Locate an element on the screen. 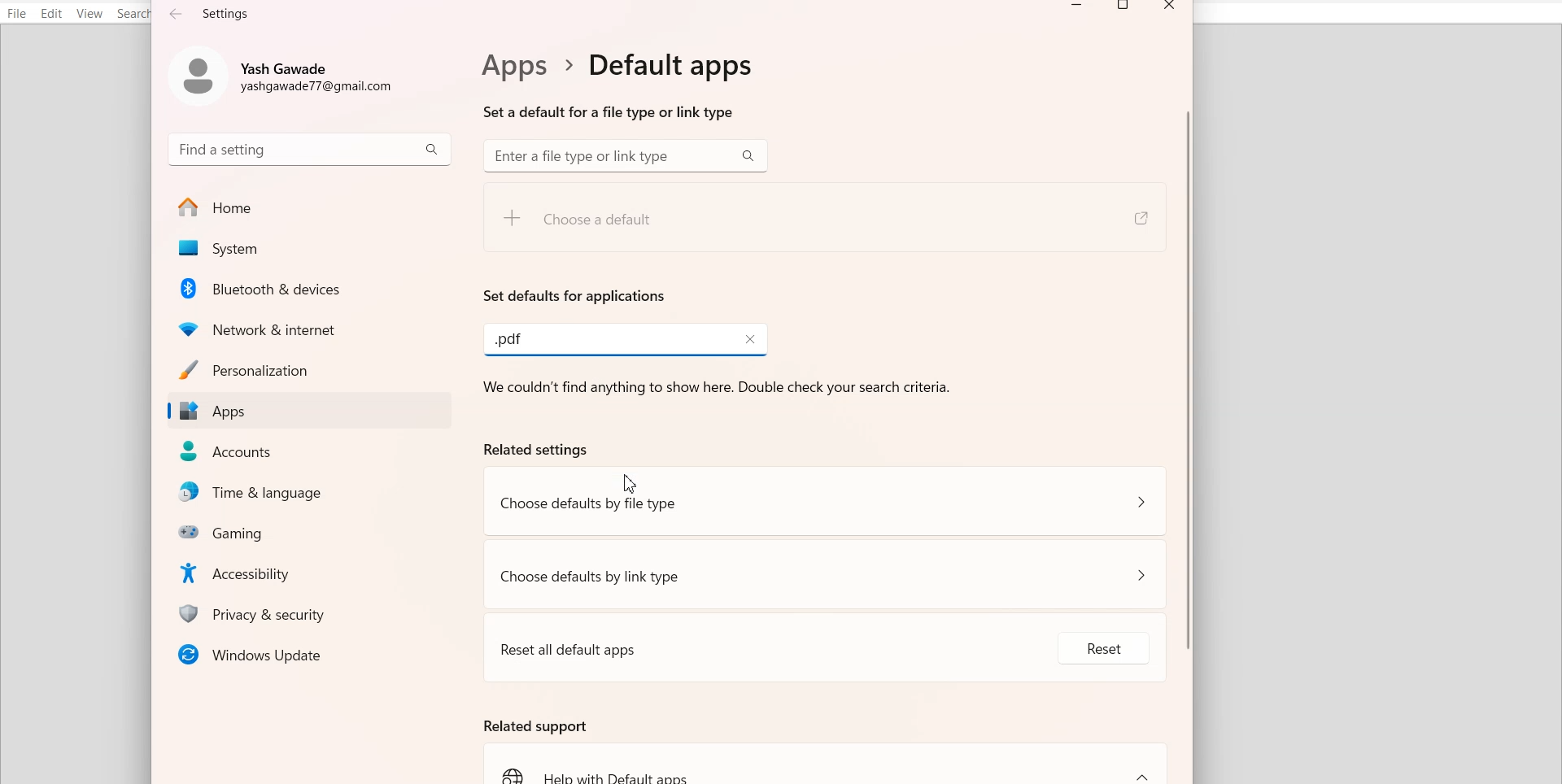 Image resolution: width=1562 pixels, height=784 pixels. Apps is located at coordinates (308, 412).